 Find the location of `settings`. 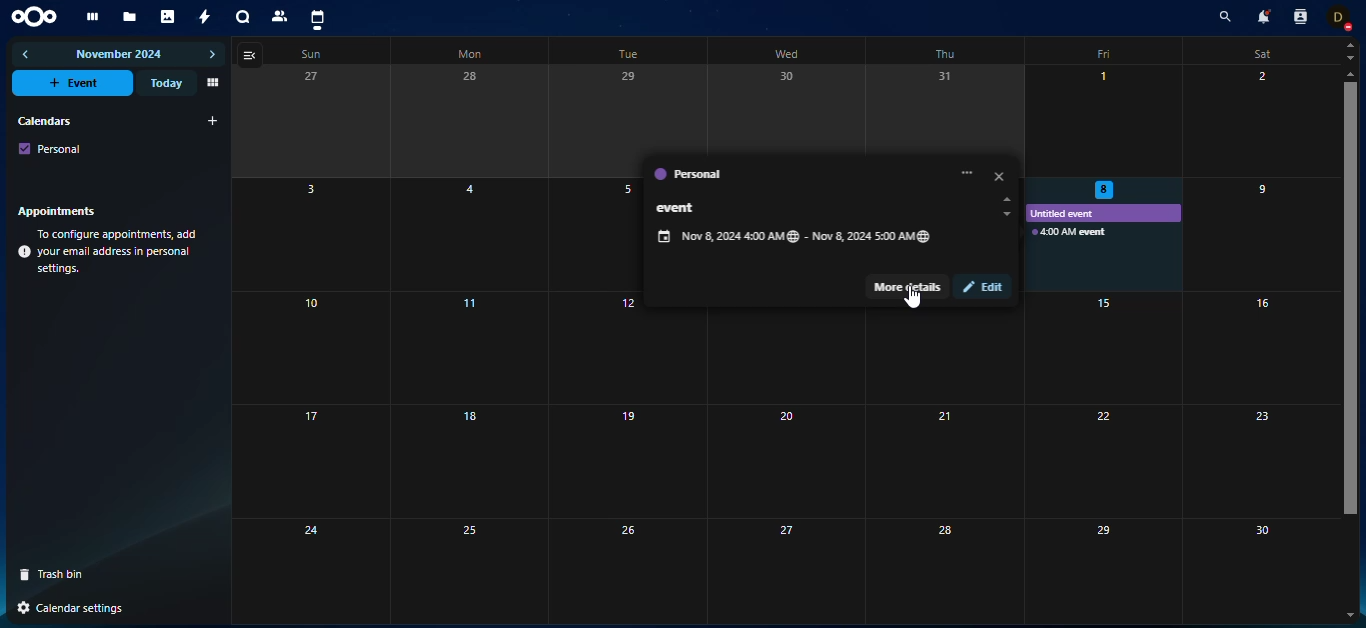

settings is located at coordinates (69, 607).